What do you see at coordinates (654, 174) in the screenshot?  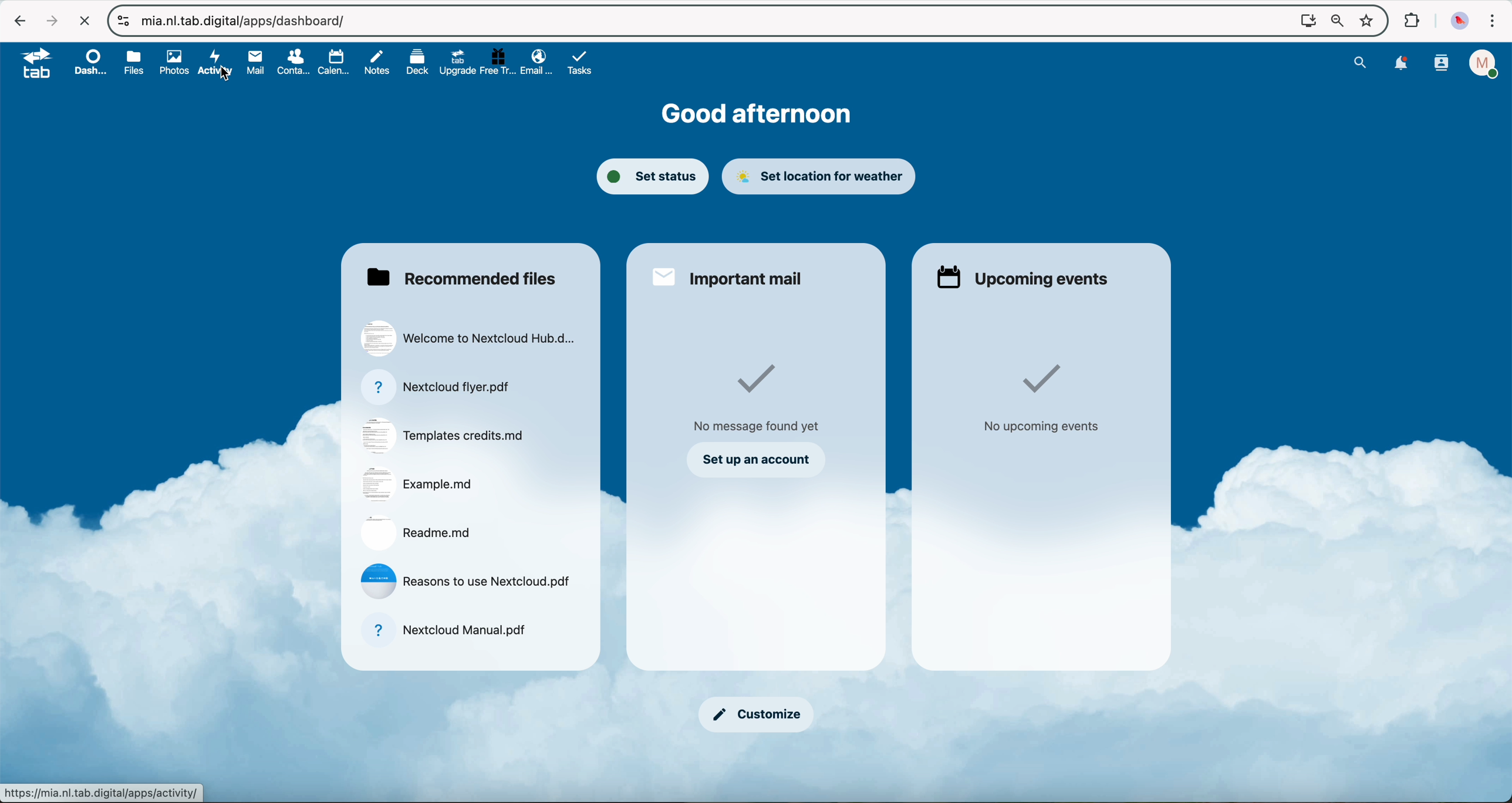 I see `set status` at bounding box center [654, 174].